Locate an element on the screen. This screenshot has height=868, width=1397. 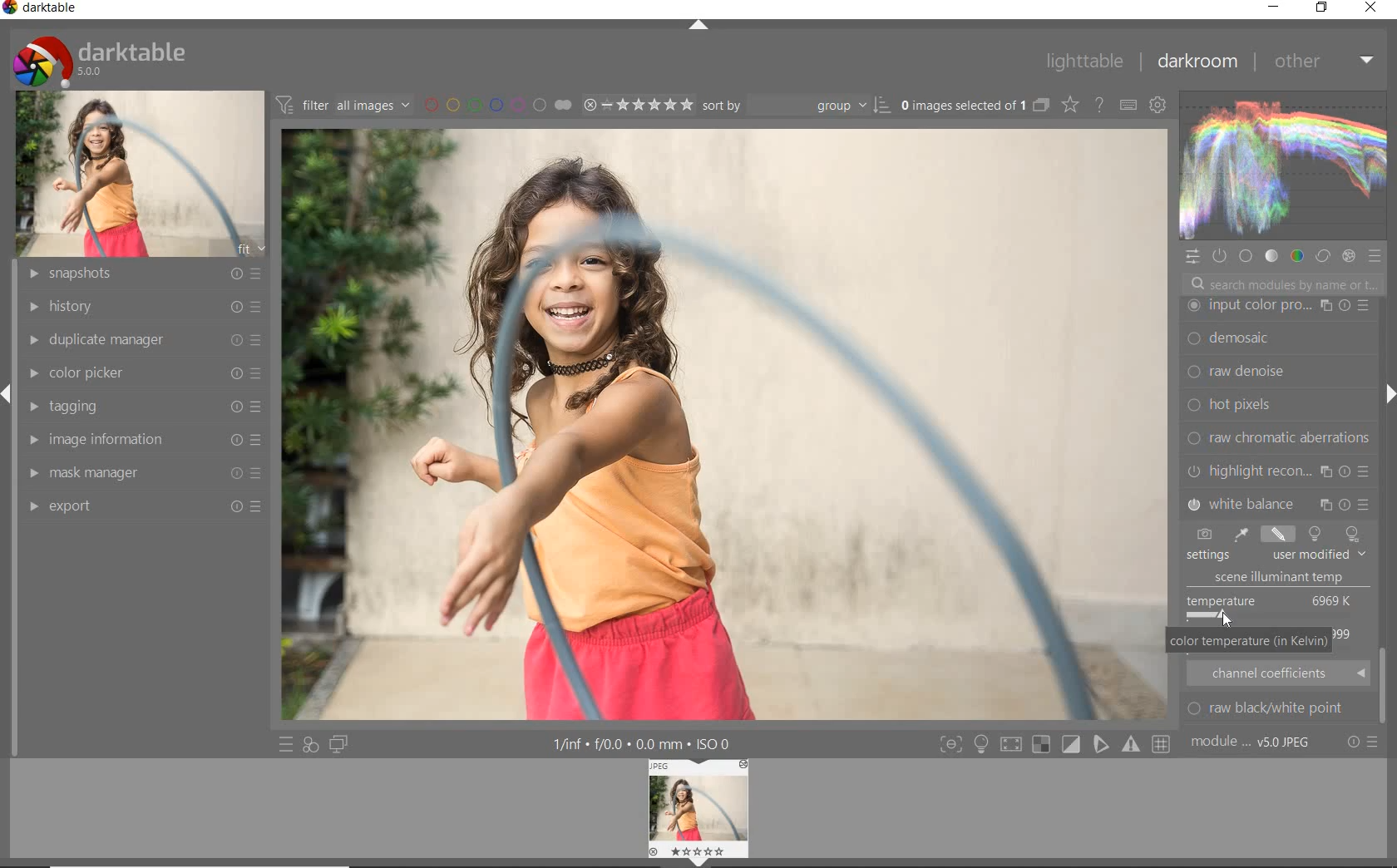
duplicate manager is located at coordinates (141, 338).